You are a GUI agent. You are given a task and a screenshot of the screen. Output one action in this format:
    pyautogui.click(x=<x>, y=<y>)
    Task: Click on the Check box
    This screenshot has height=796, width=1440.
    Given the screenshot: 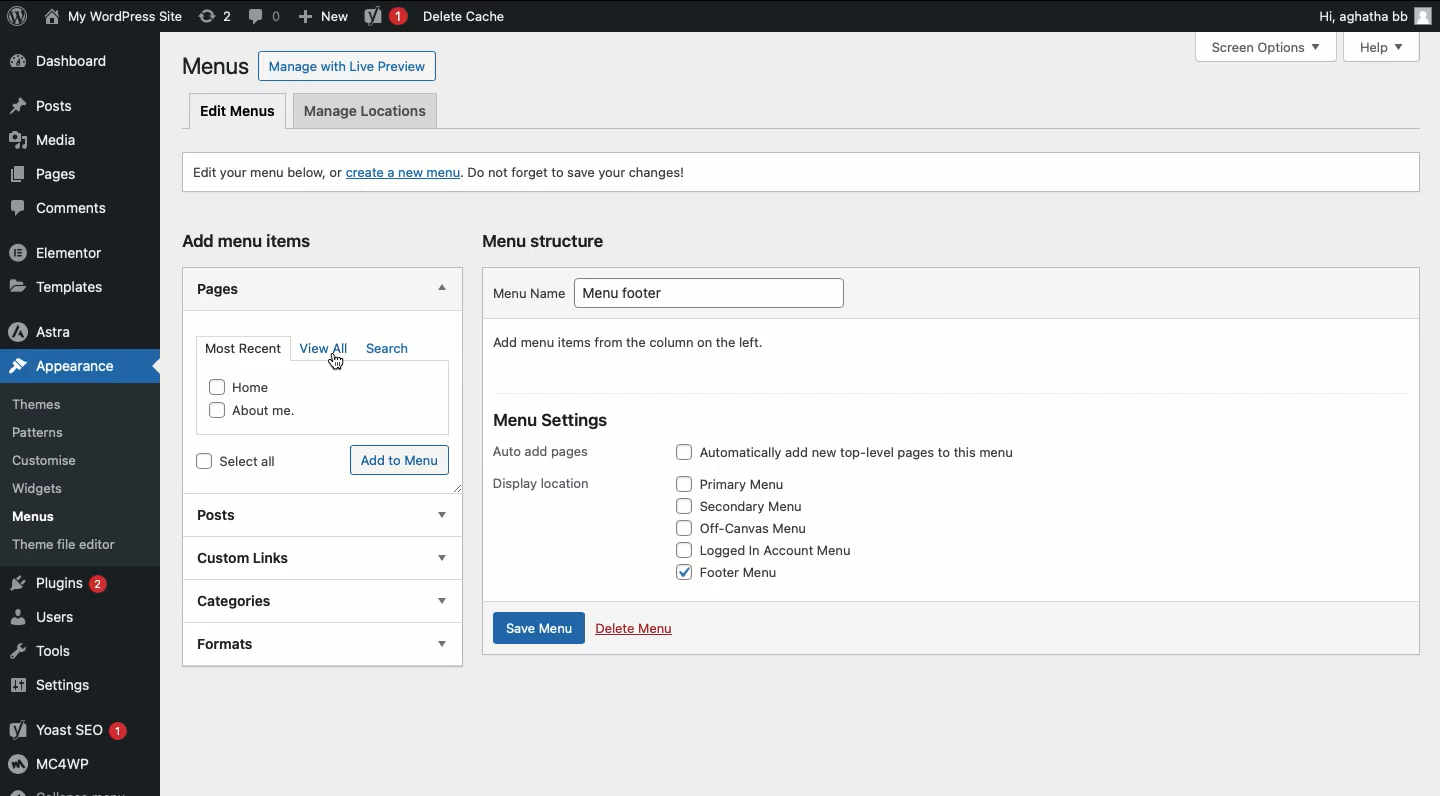 What is the action you would take?
    pyautogui.click(x=682, y=484)
    